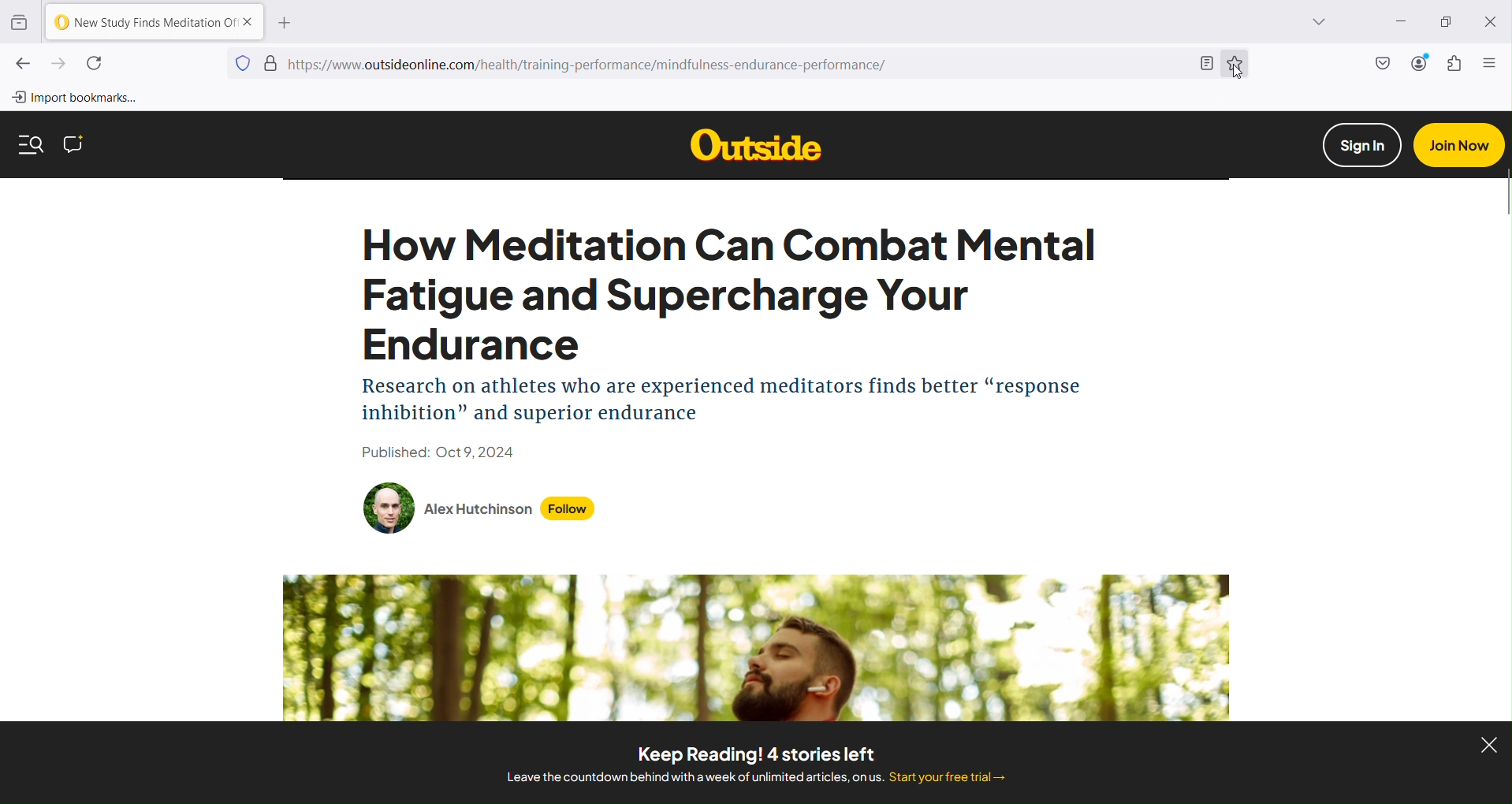 The image size is (1512, 804). Describe the element at coordinates (73, 144) in the screenshot. I see `Comment` at that location.